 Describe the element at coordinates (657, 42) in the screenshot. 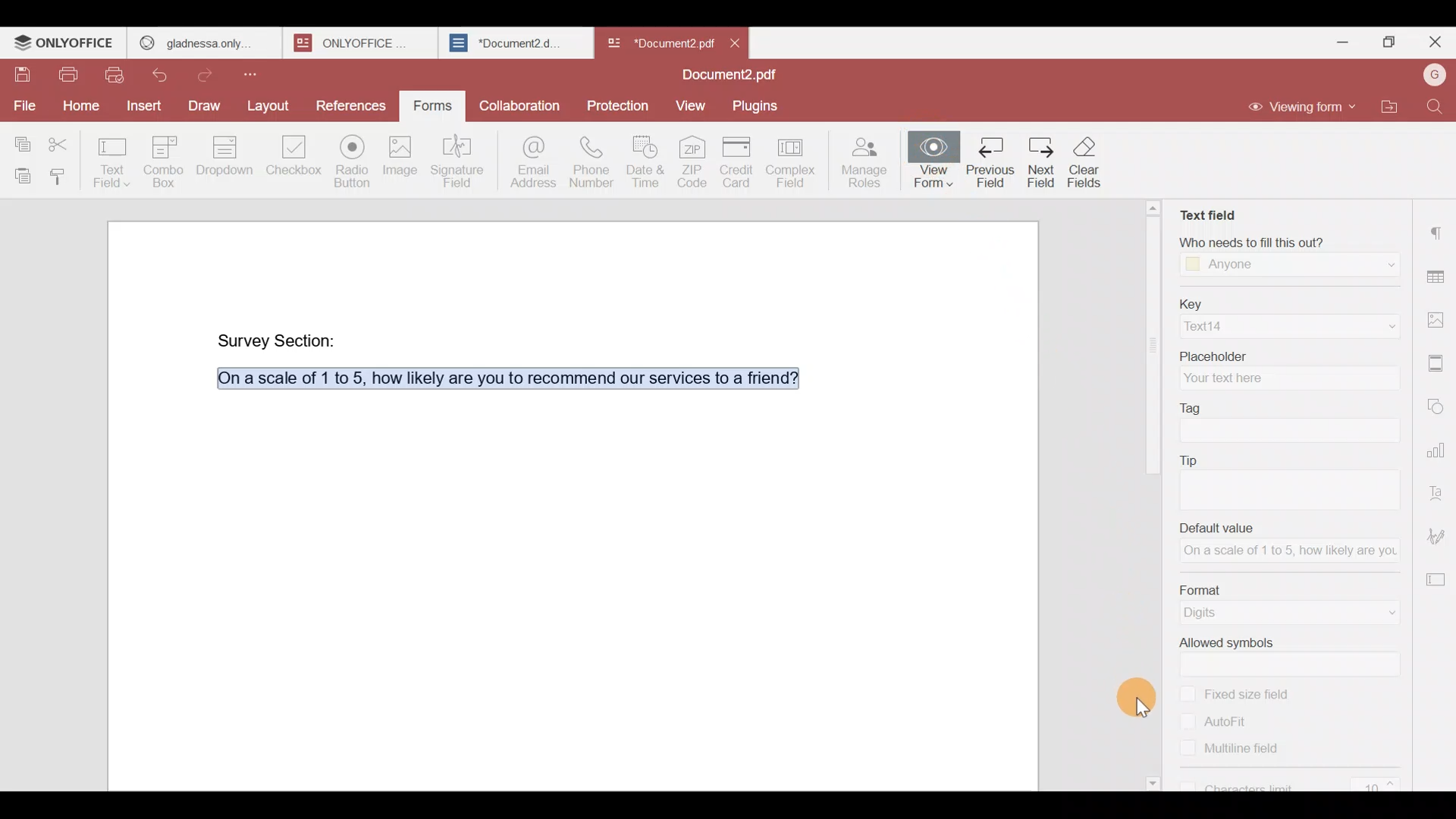

I see `*Document2 pd` at that location.